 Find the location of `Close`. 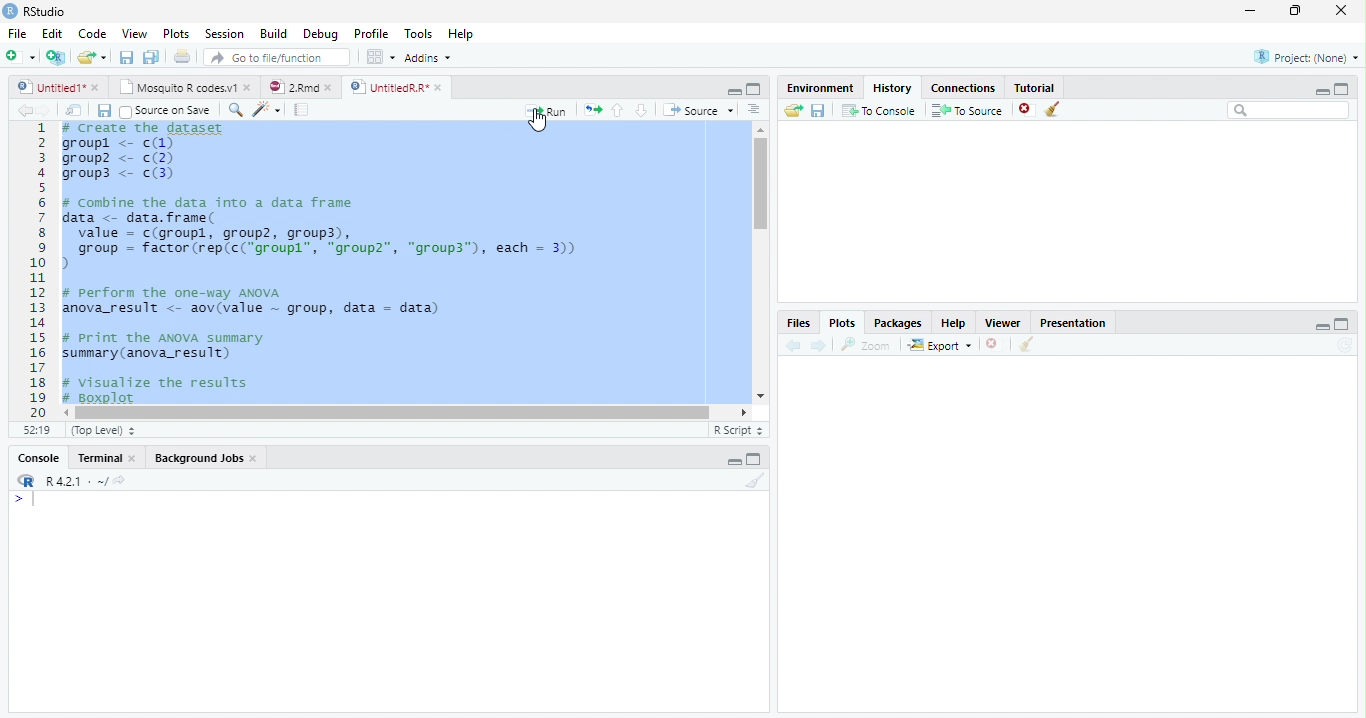

Close is located at coordinates (1339, 12).